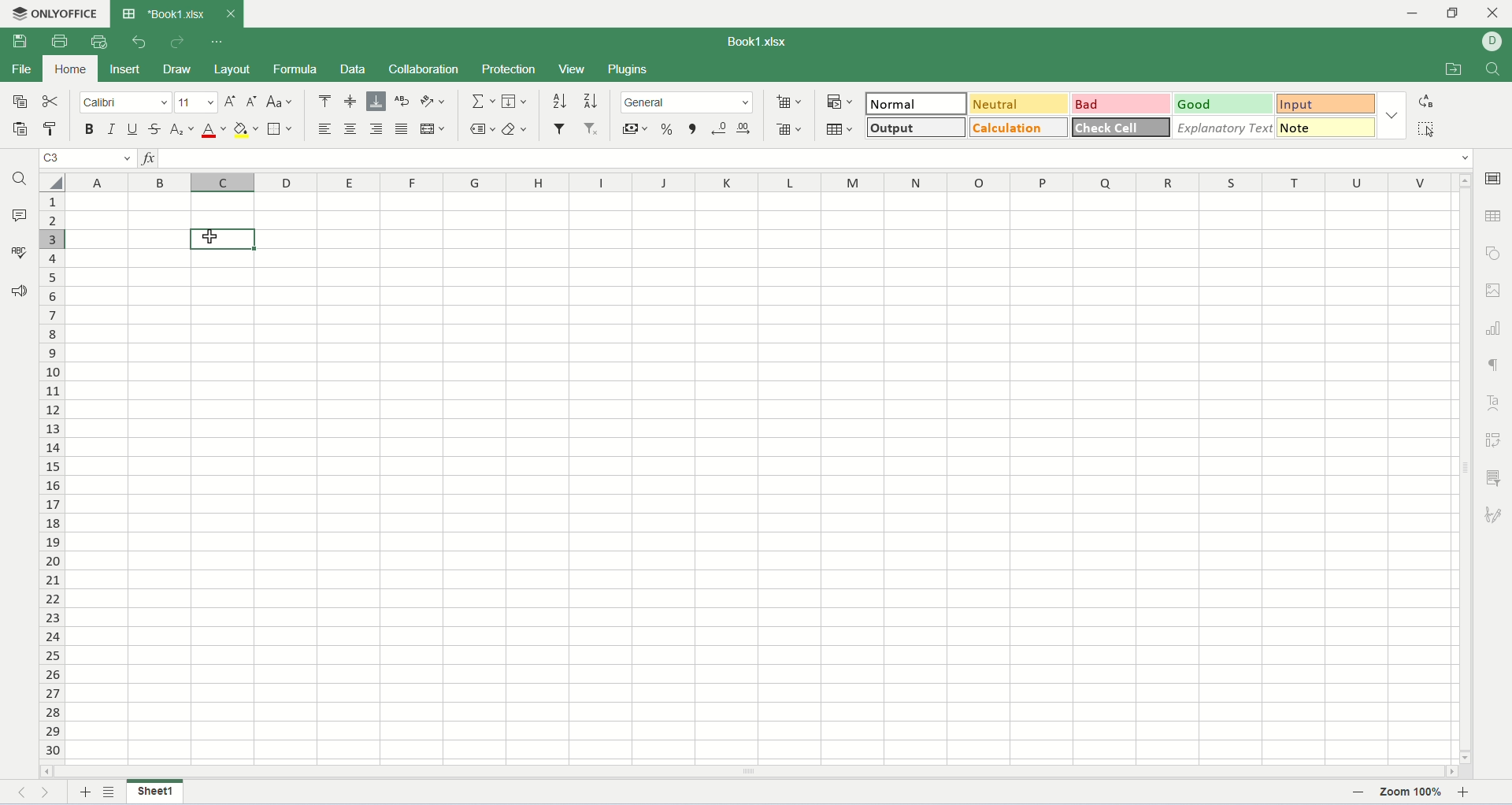  Describe the element at coordinates (1119, 104) in the screenshot. I see `bad` at that location.